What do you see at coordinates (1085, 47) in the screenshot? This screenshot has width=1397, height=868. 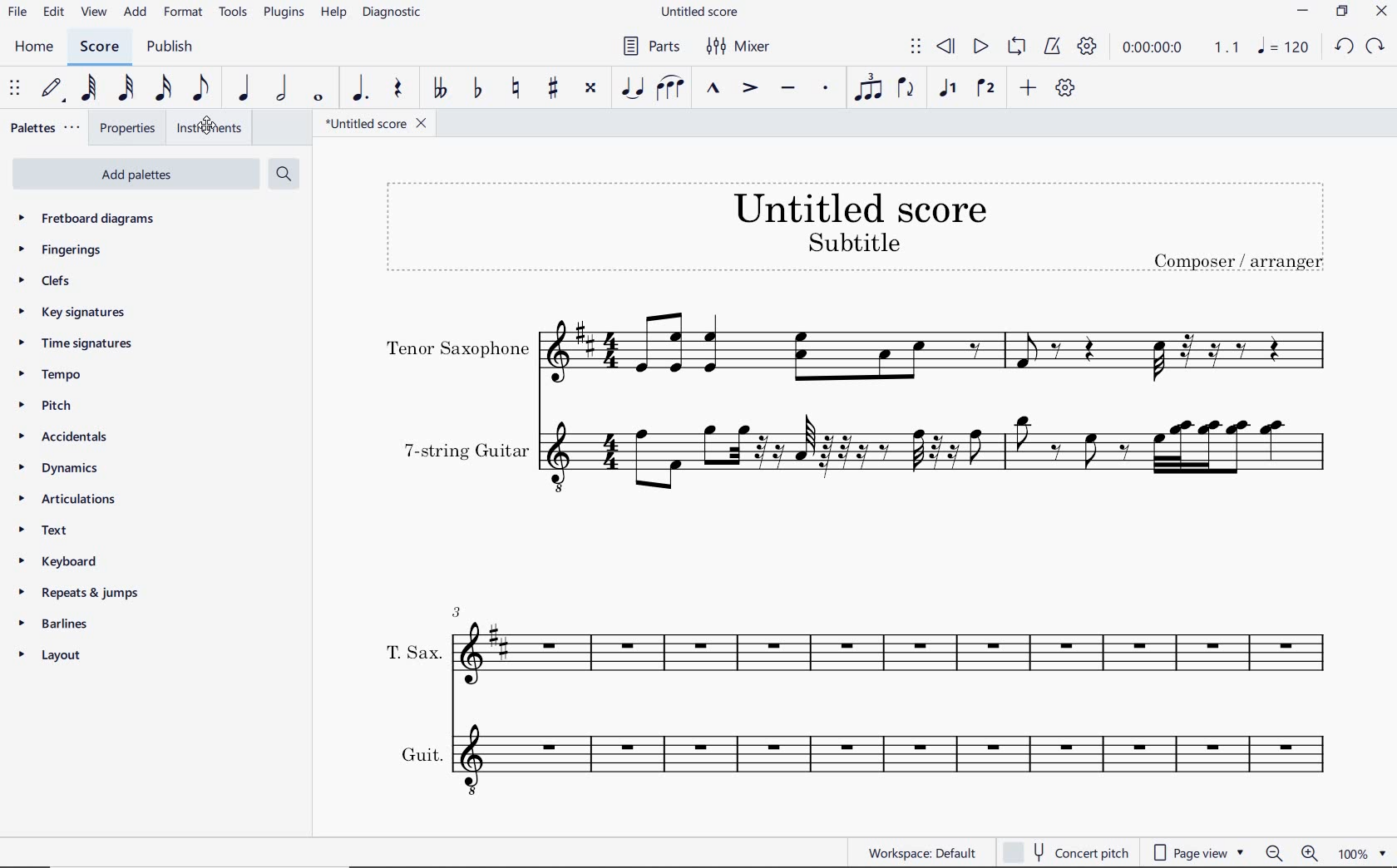 I see `PLAYBACK SETTINGS` at bounding box center [1085, 47].